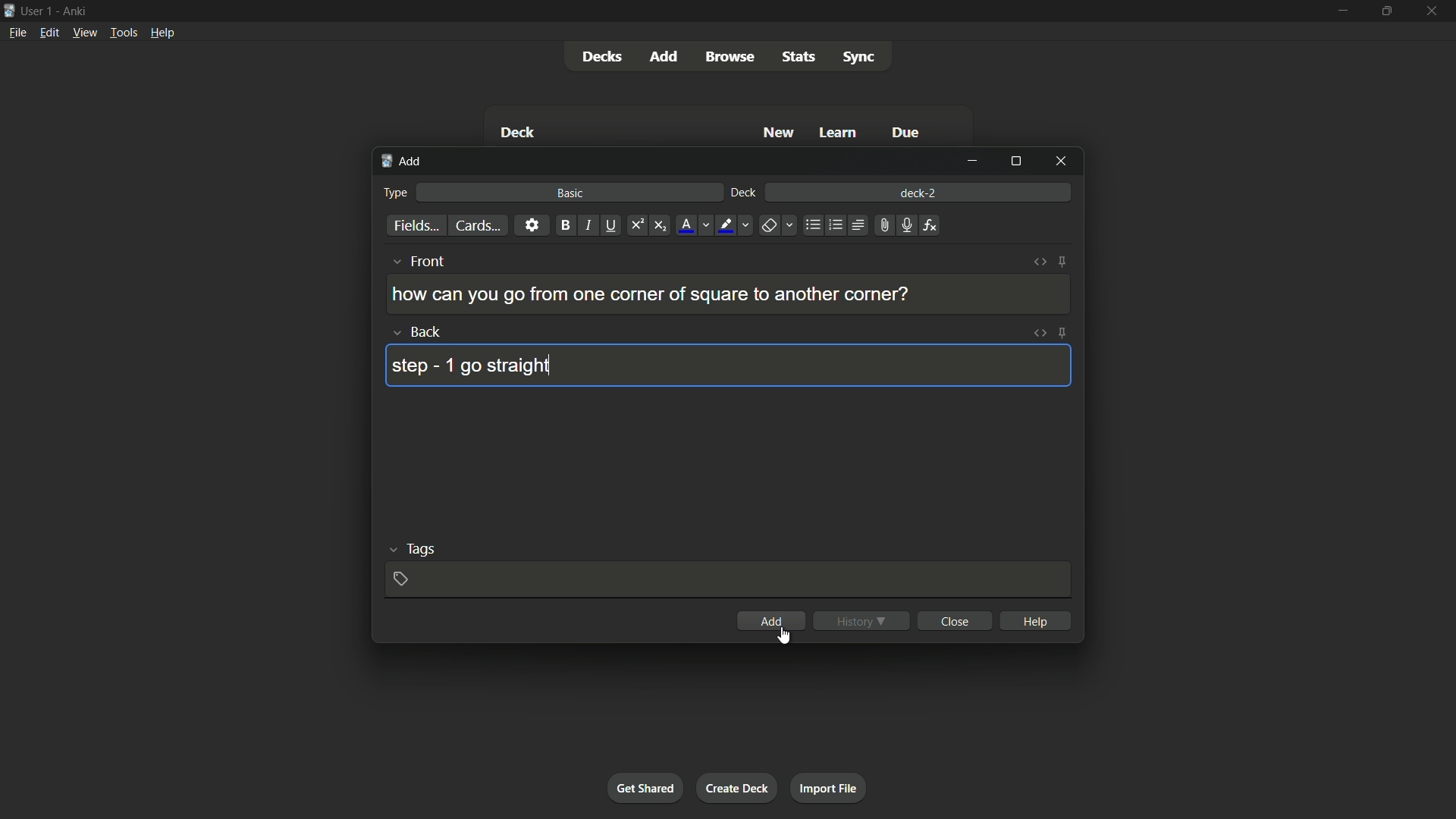 The height and width of the screenshot is (819, 1456). I want to click on history, so click(861, 620).